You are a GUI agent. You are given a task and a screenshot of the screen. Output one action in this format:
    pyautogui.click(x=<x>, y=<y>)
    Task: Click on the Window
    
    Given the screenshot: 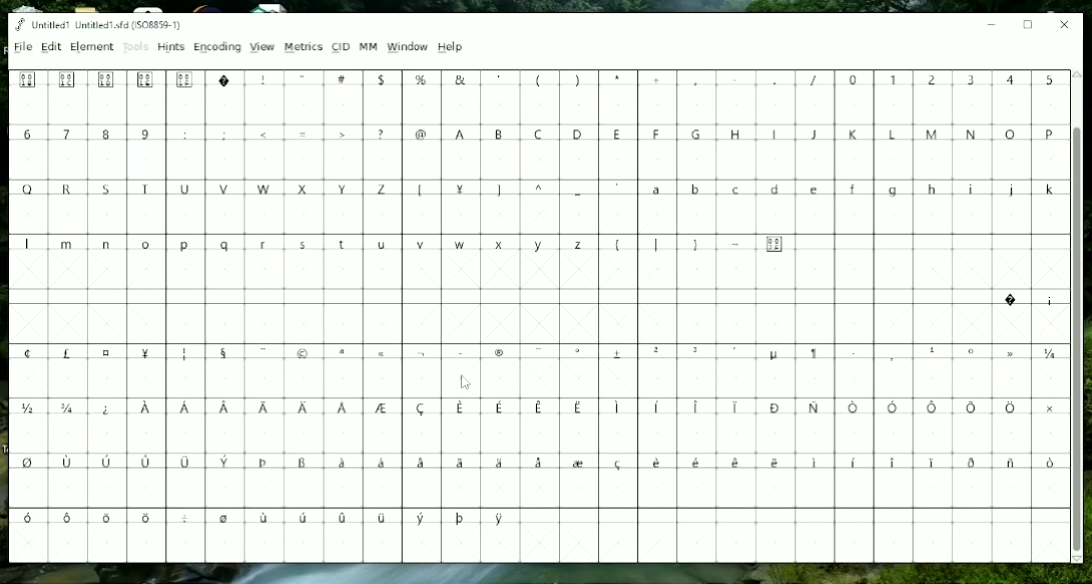 What is the action you would take?
    pyautogui.click(x=407, y=47)
    